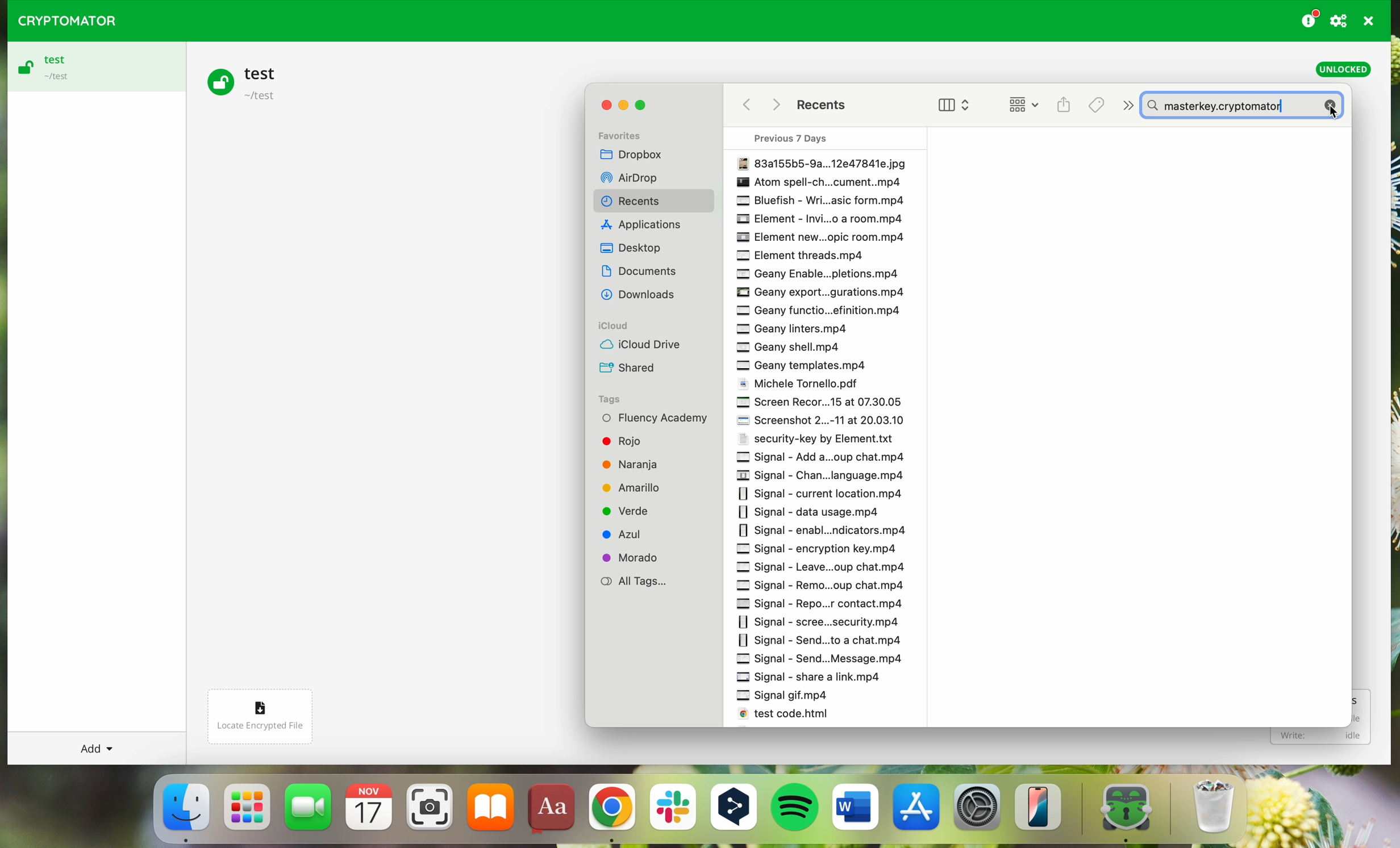 The width and height of the screenshot is (1400, 848). What do you see at coordinates (795, 348) in the screenshot?
I see `Geany shell` at bounding box center [795, 348].